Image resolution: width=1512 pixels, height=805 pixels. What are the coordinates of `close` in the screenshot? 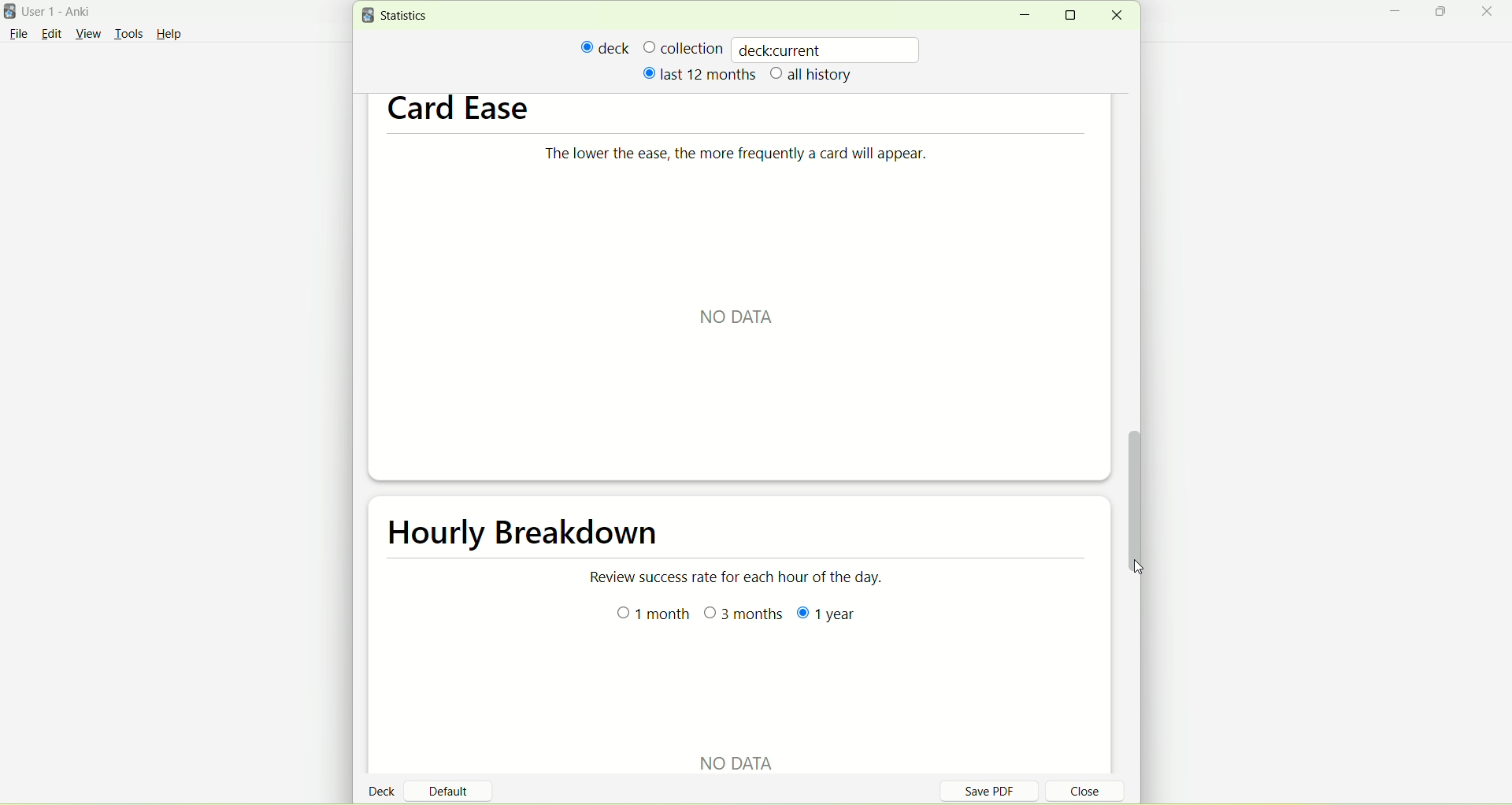 It's located at (1116, 16).